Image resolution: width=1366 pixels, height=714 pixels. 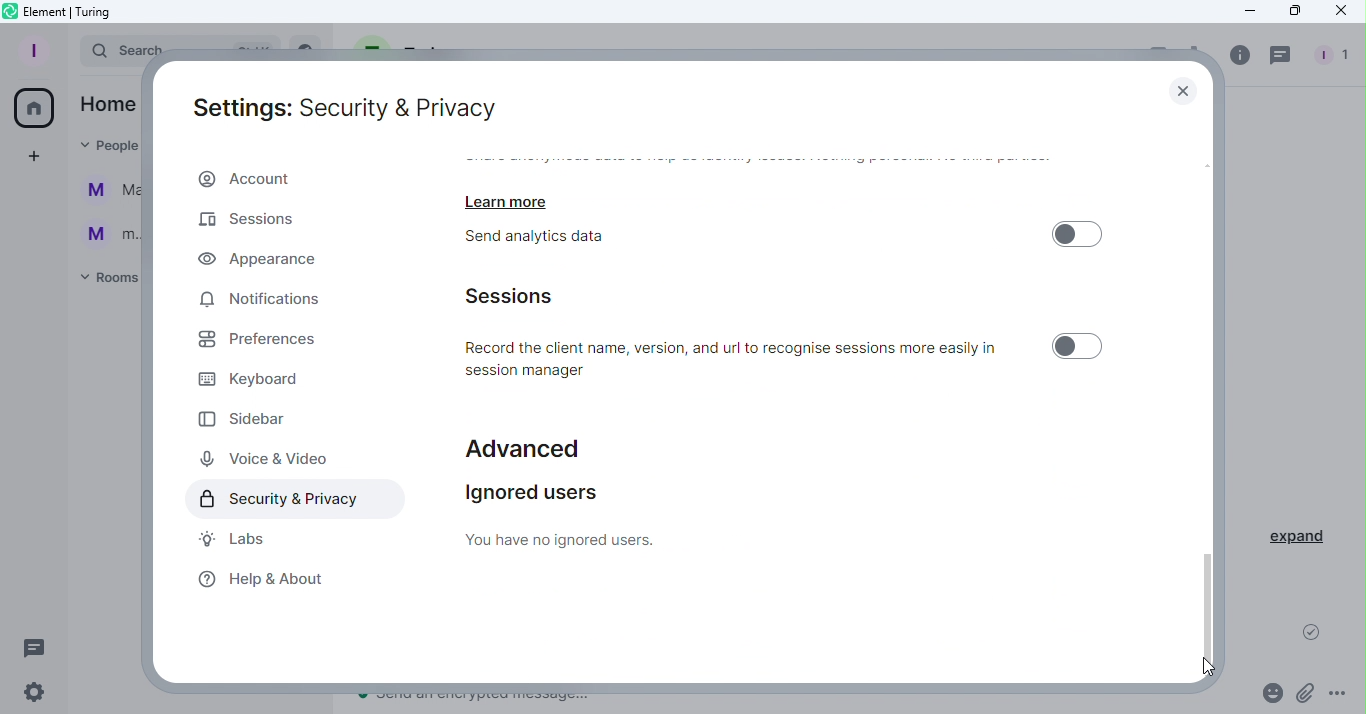 What do you see at coordinates (107, 193) in the screenshot?
I see `Martina Tornello` at bounding box center [107, 193].